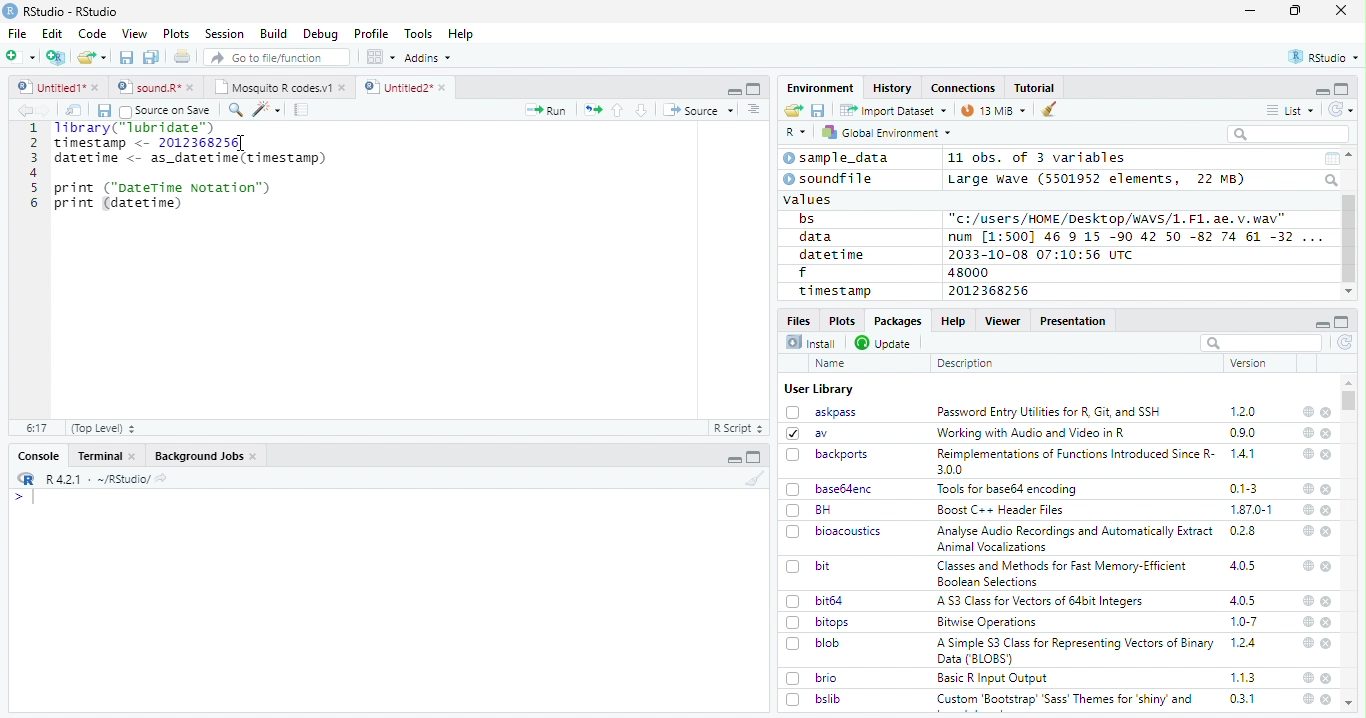 This screenshot has height=718, width=1366. What do you see at coordinates (1251, 510) in the screenshot?
I see `1.87.0-1` at bounding box center [1251, 510].